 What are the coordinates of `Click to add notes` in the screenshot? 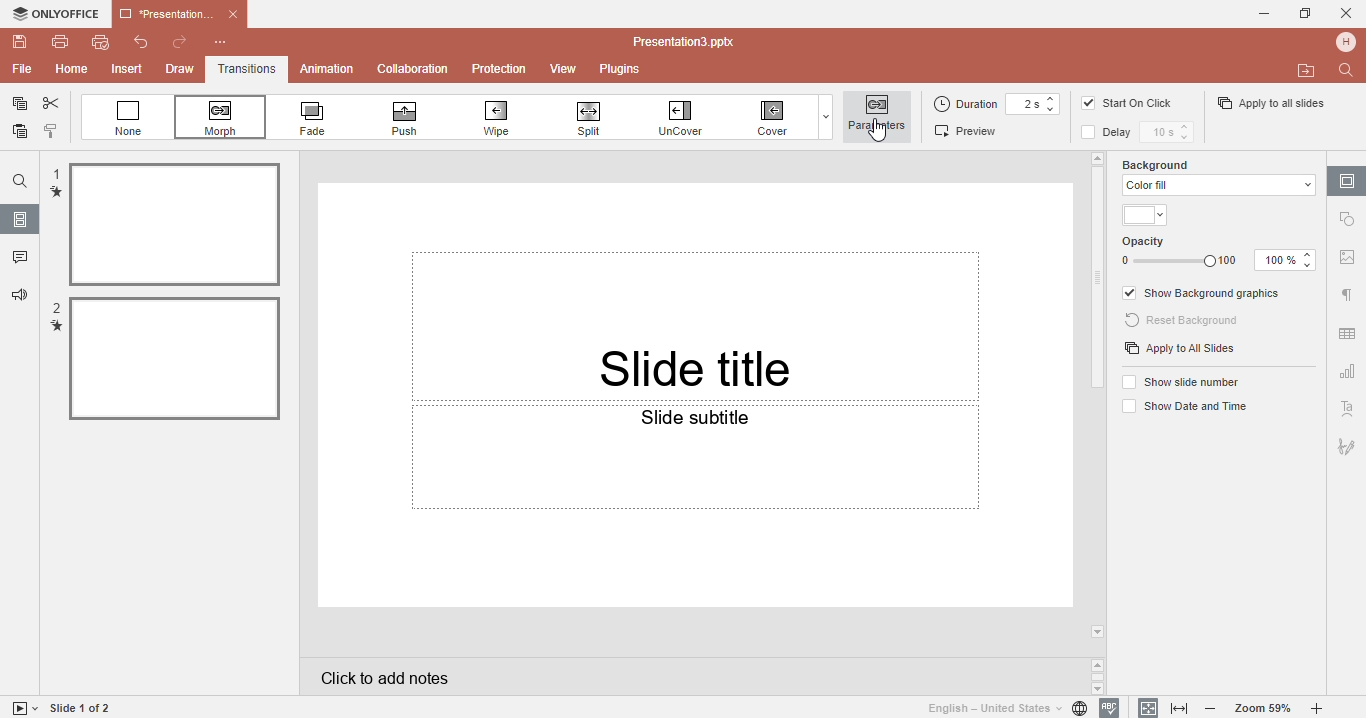 It's located at (692, 676).